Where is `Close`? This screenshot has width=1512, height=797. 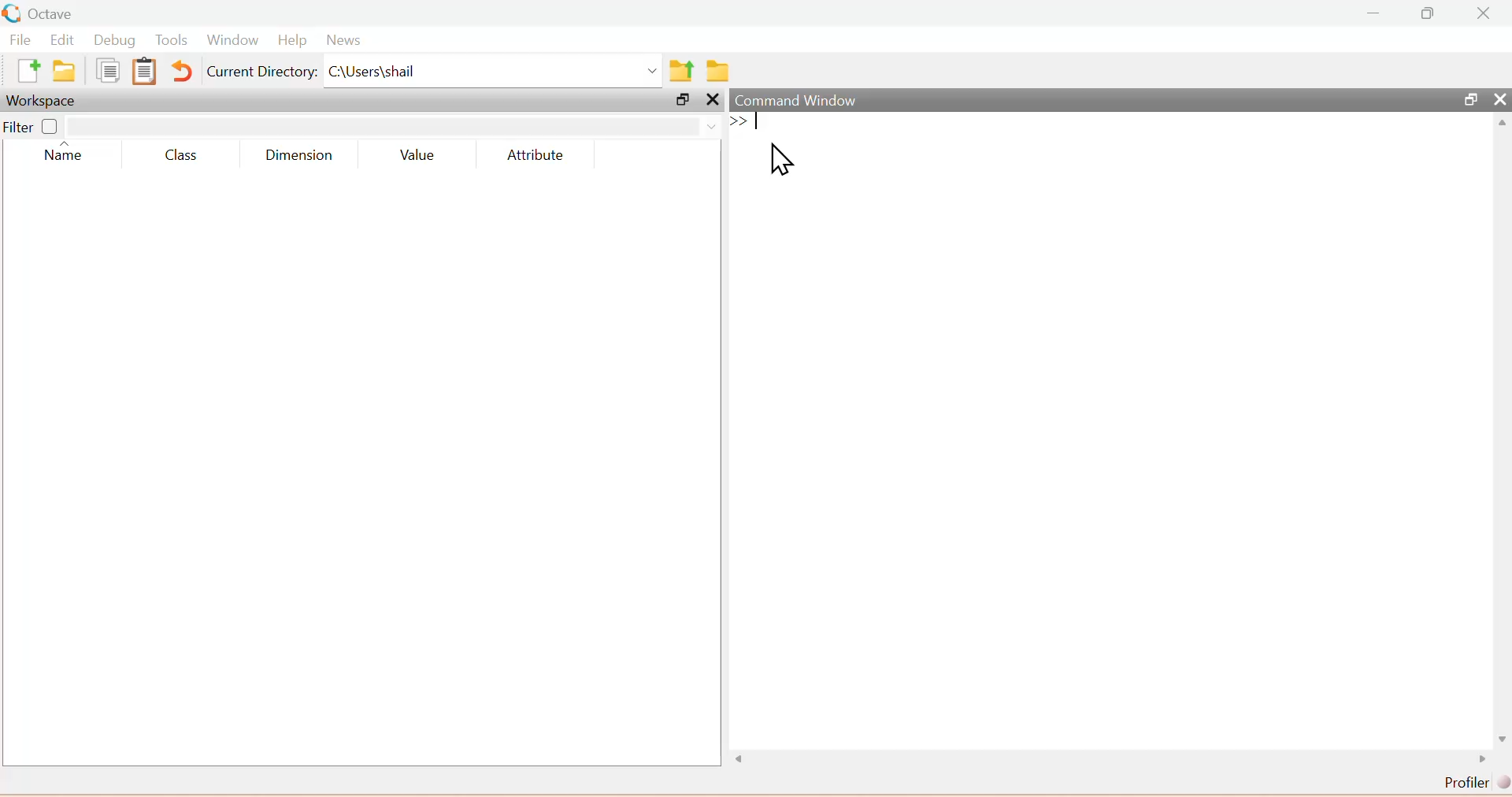
Close is located at coordinates (1483, 13).